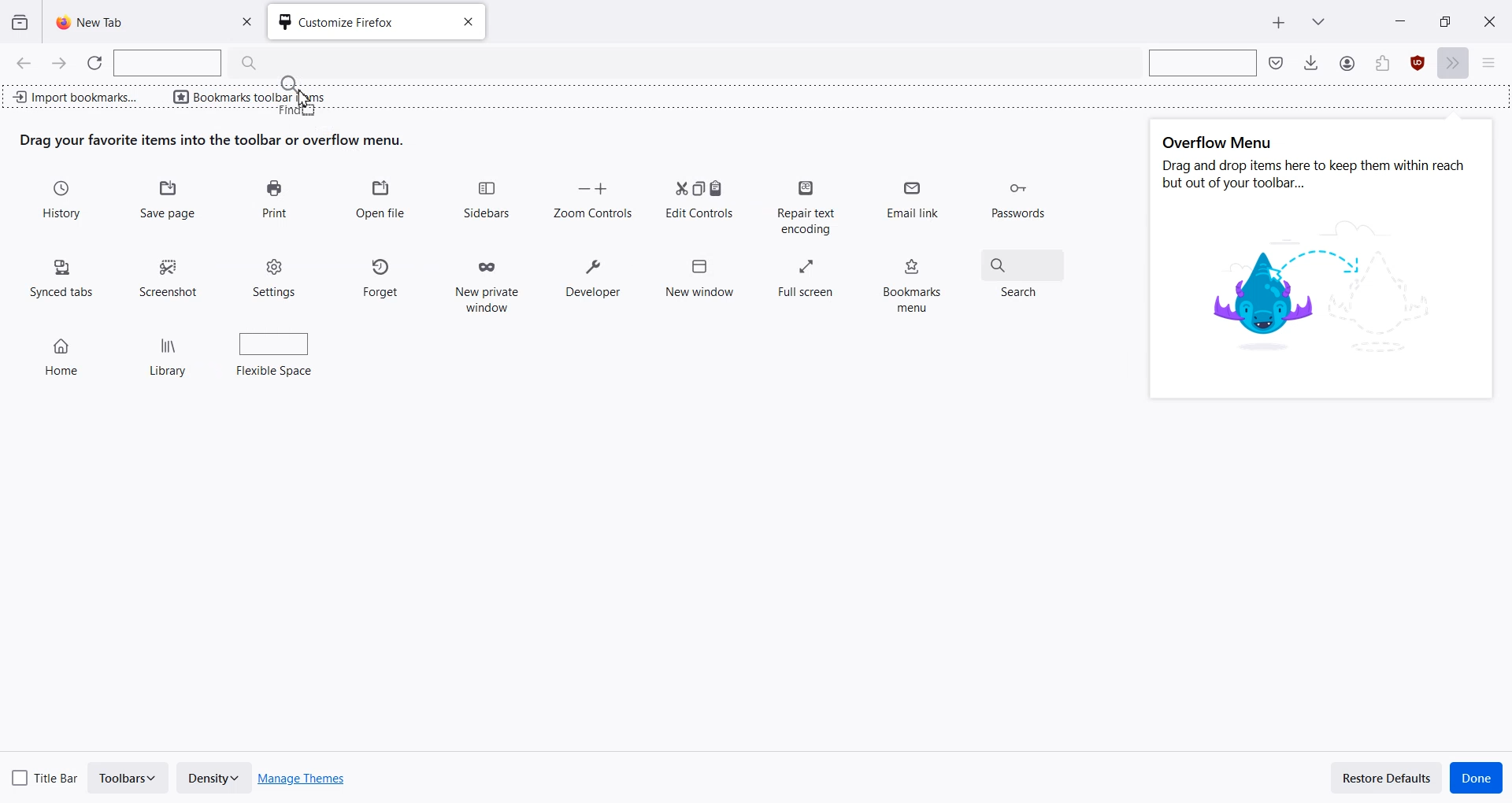 This screenshot has width=1512, height=803. What do you see at coordinates (95, 63) in the screenshot?
I see `Refresh` at bounding box center [95, 63].